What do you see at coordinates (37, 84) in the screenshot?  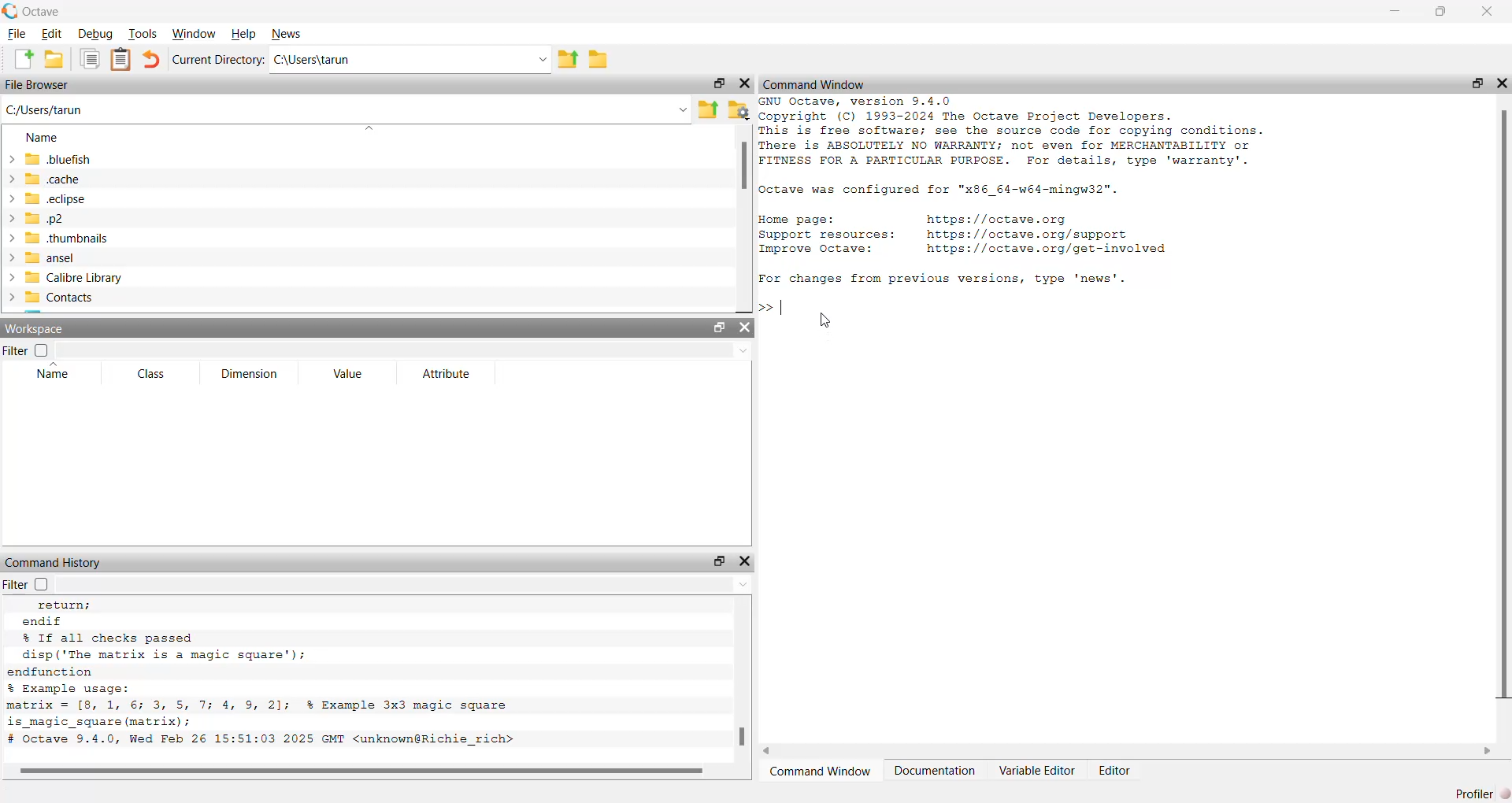 I see `File Browser` at bounding box center [37, 84].